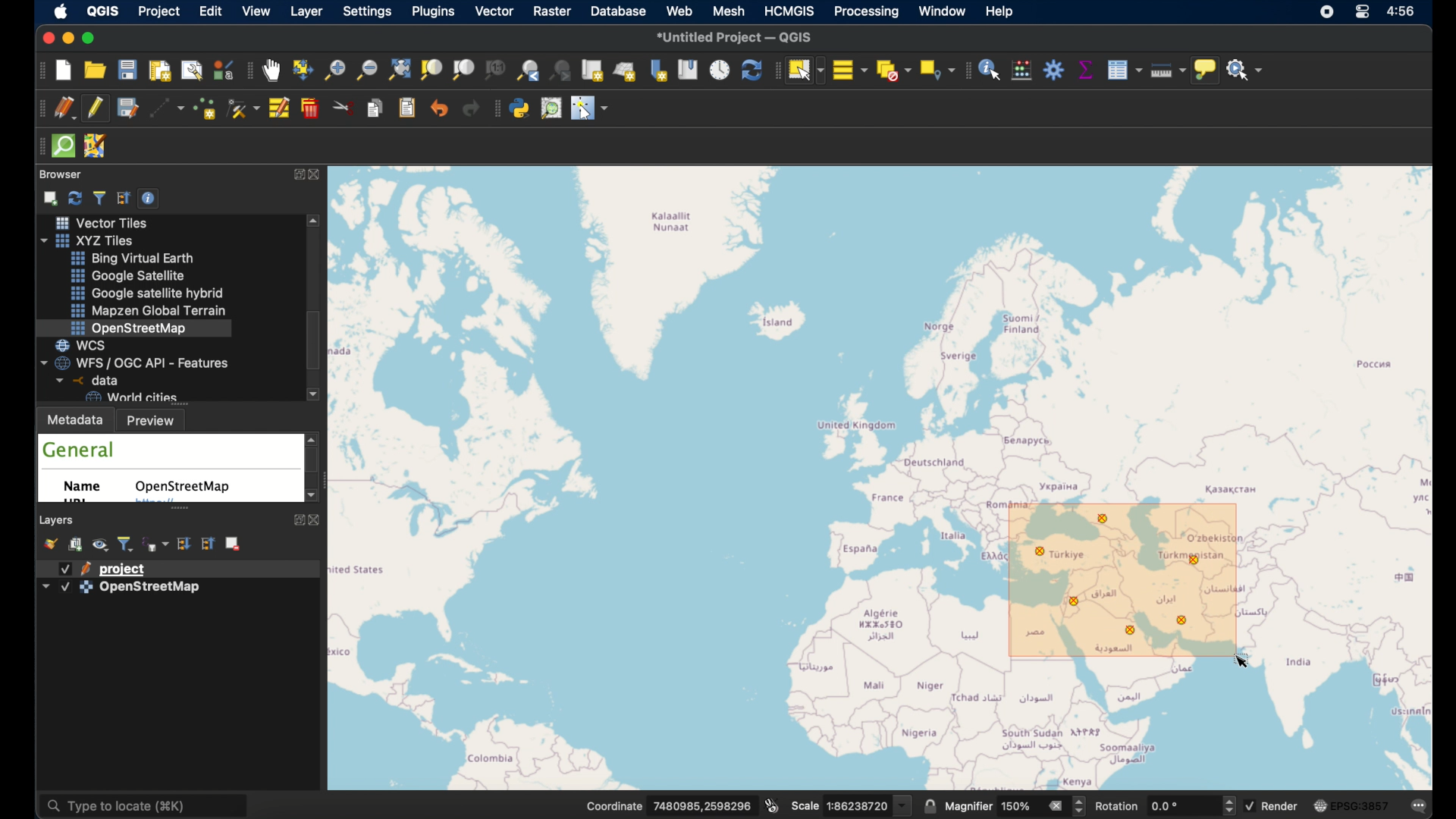 The height and width of the screenshot is (819, 1456). Describe the element at coordinates (990, 70) in the screenshot. I see `identify feature` at that location.